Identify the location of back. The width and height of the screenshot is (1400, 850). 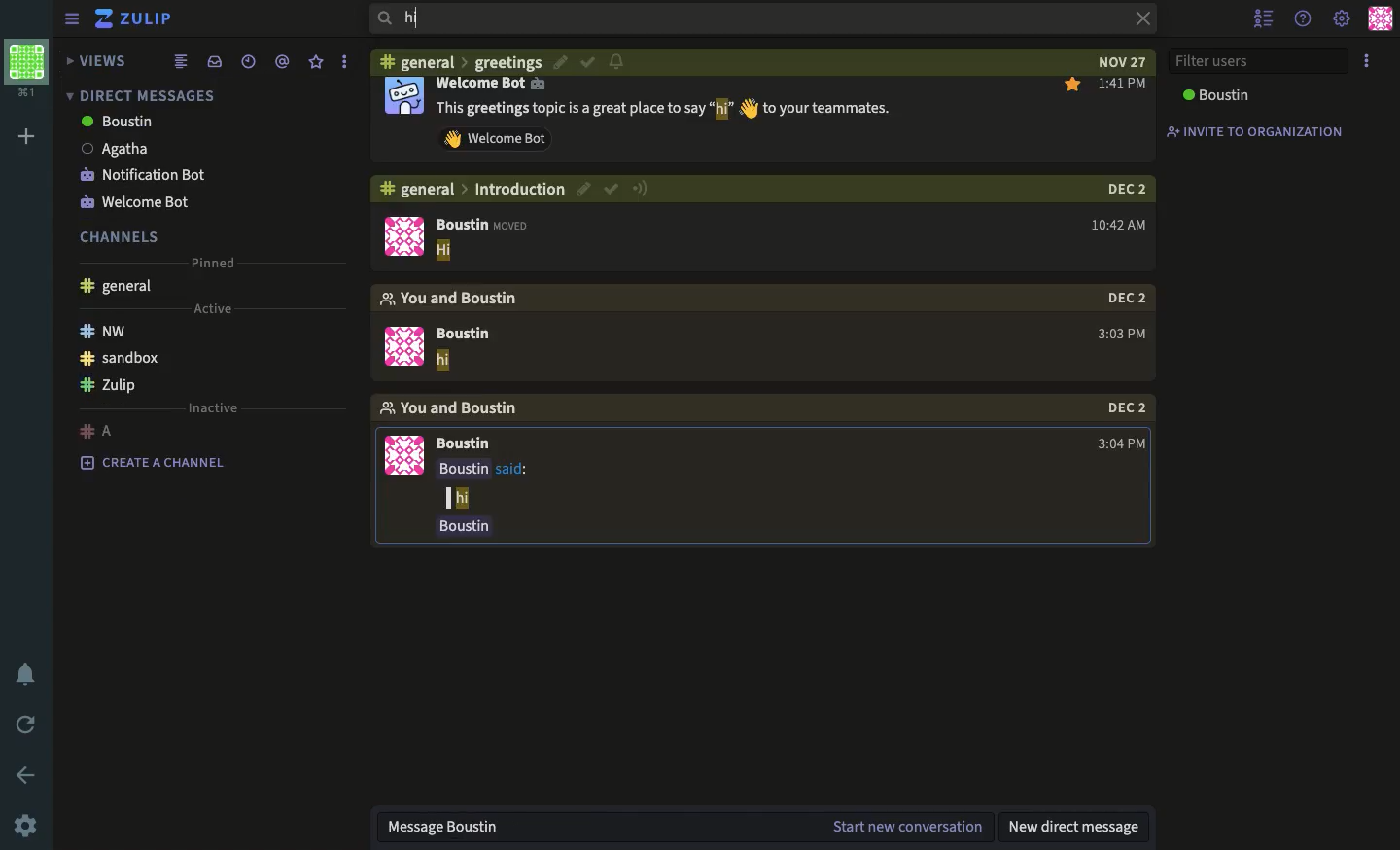
(28, 775).